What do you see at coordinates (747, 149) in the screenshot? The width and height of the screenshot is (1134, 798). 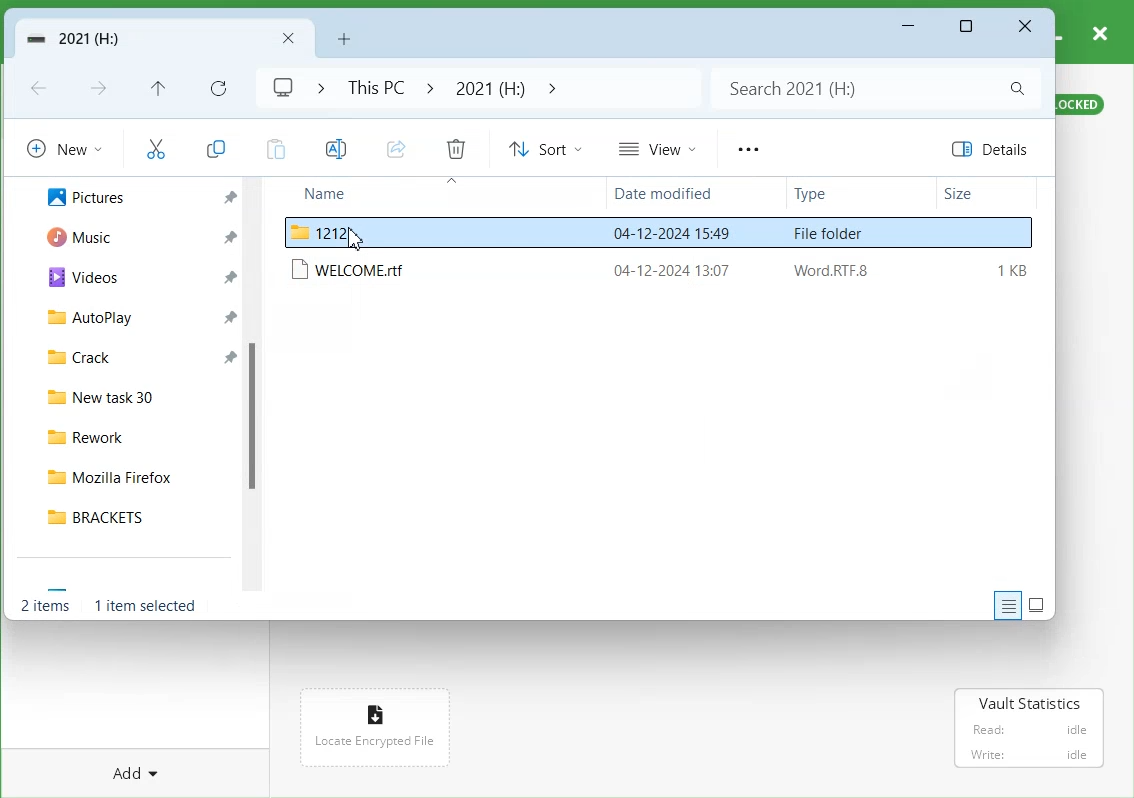 I see `More` at bounding box center [747, 149].